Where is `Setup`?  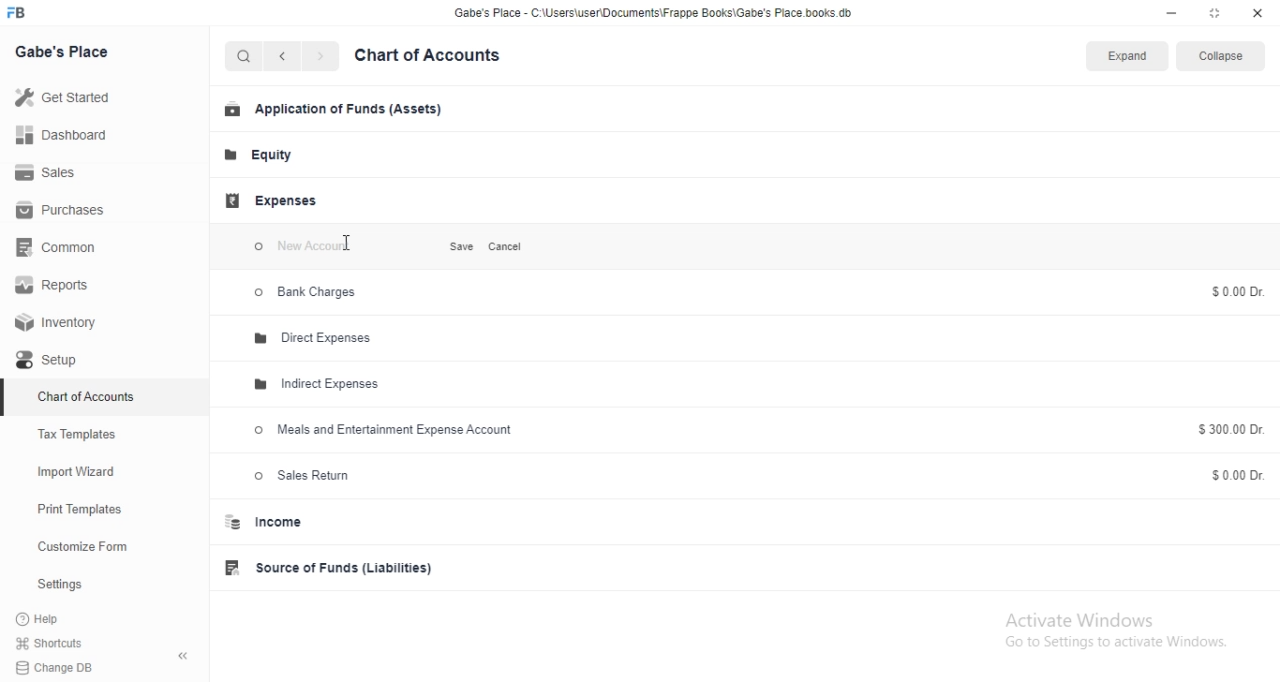 Setup is located at coordinates (68, 360).